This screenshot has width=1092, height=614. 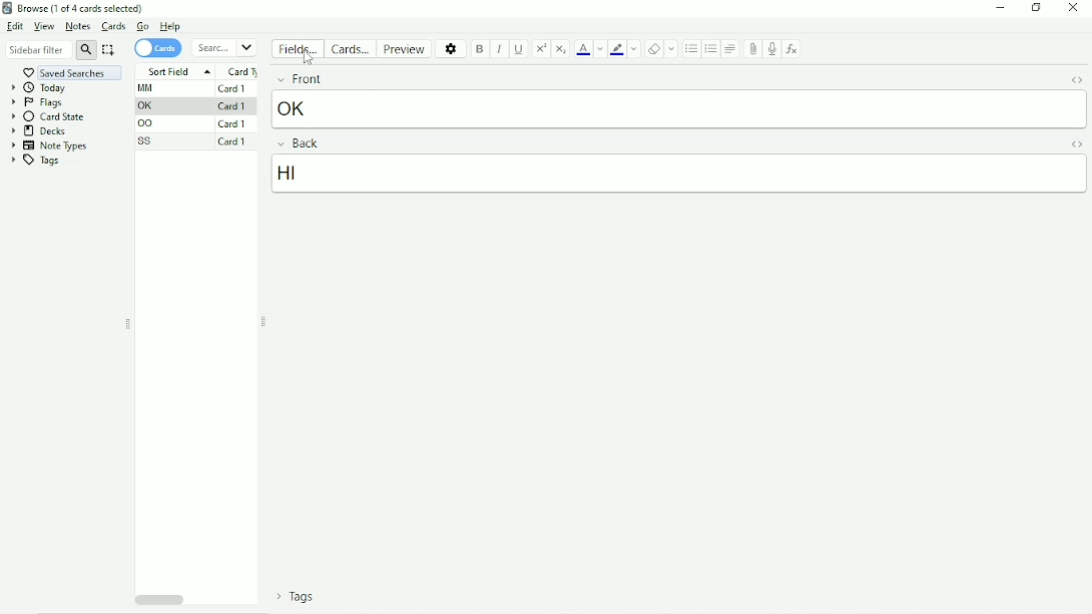 What do you see at coordinates (654, 48) in the screenshot?
I see `Remove formatting` at bounding box center [654, 48].